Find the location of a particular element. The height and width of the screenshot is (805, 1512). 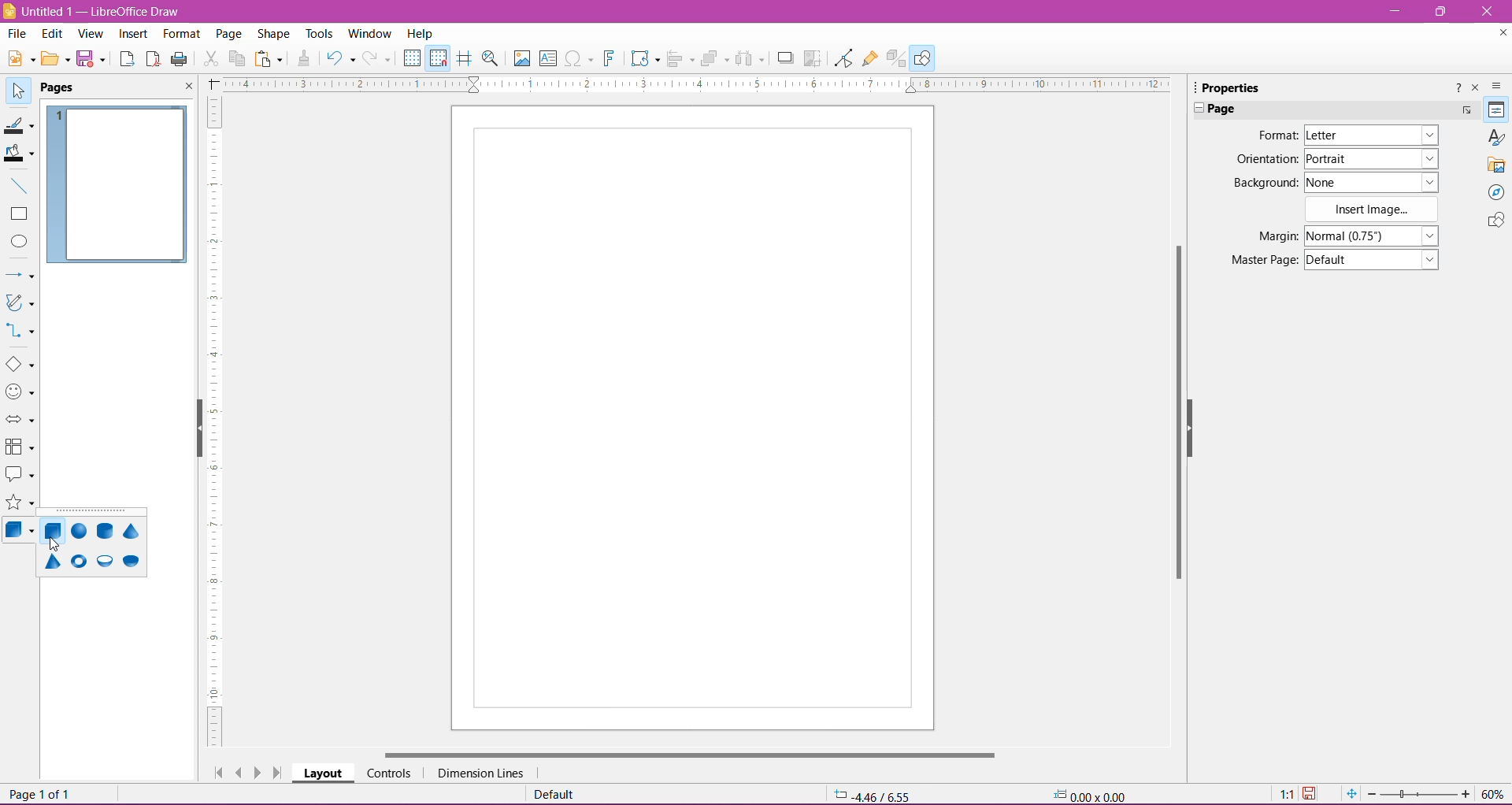

Cut is located at coordinates (210, 61).